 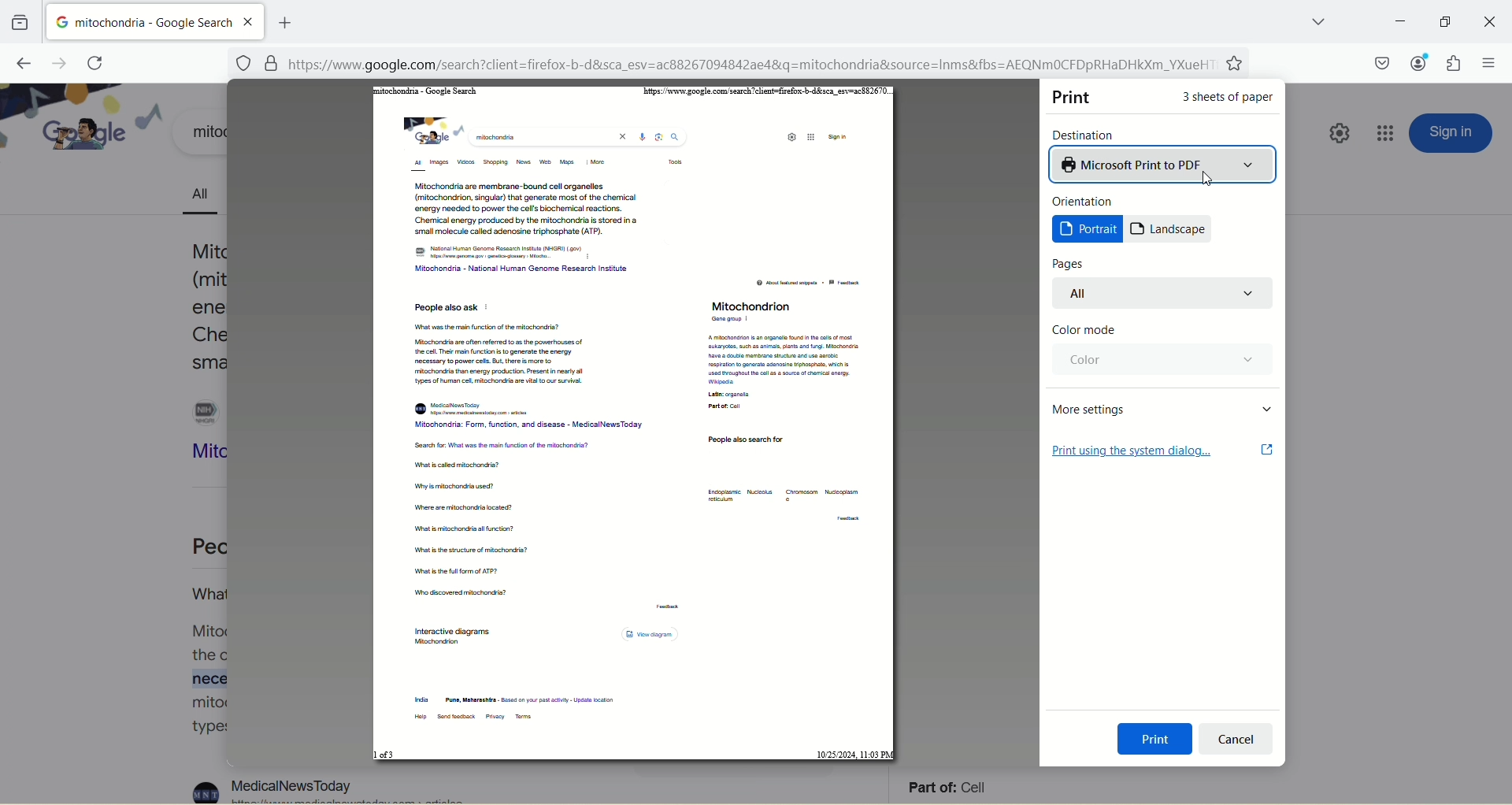 I want to click on print using the system dialog, so click(x=1163, y=451).